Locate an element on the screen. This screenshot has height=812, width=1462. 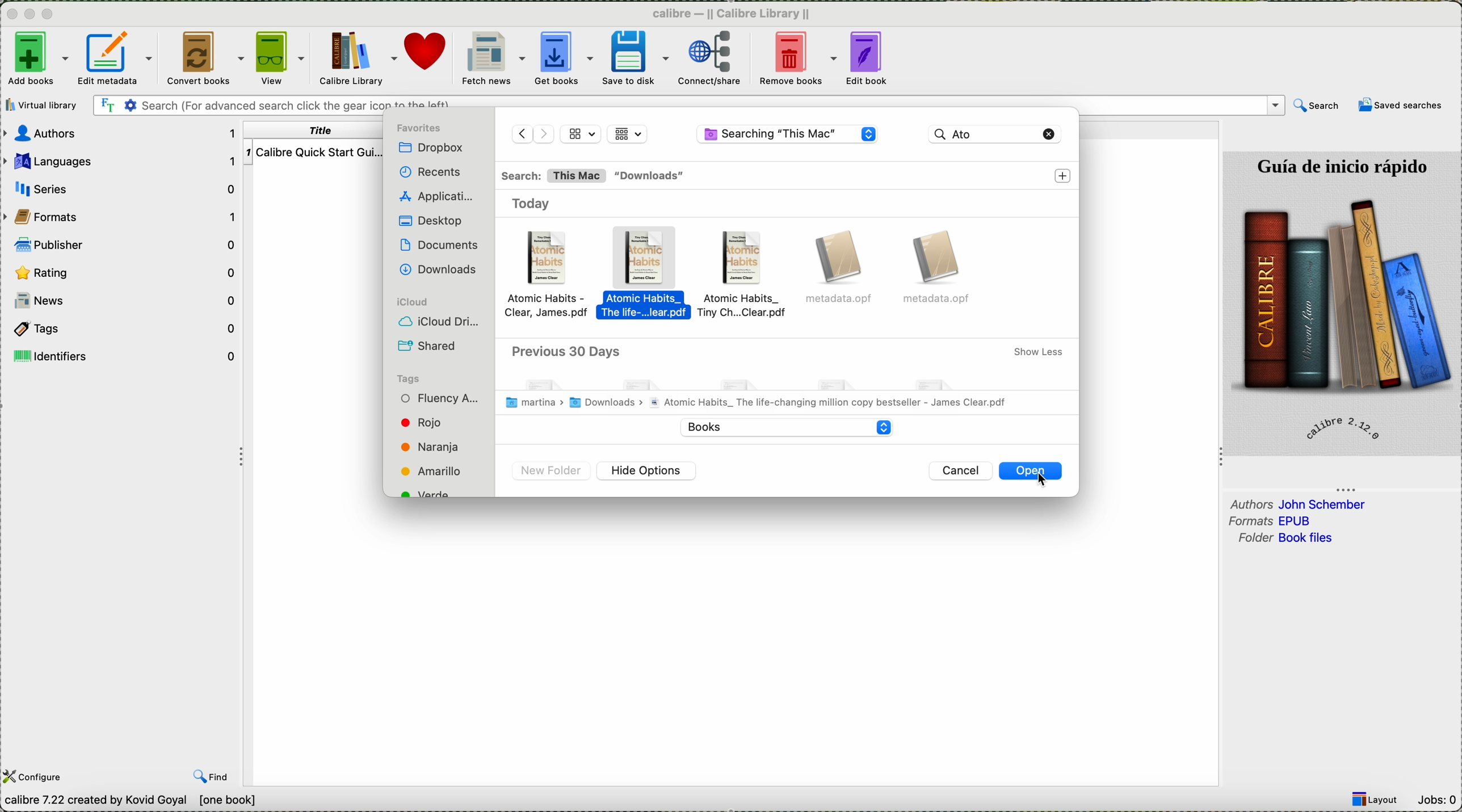
file is located at coordinates (649, 276).